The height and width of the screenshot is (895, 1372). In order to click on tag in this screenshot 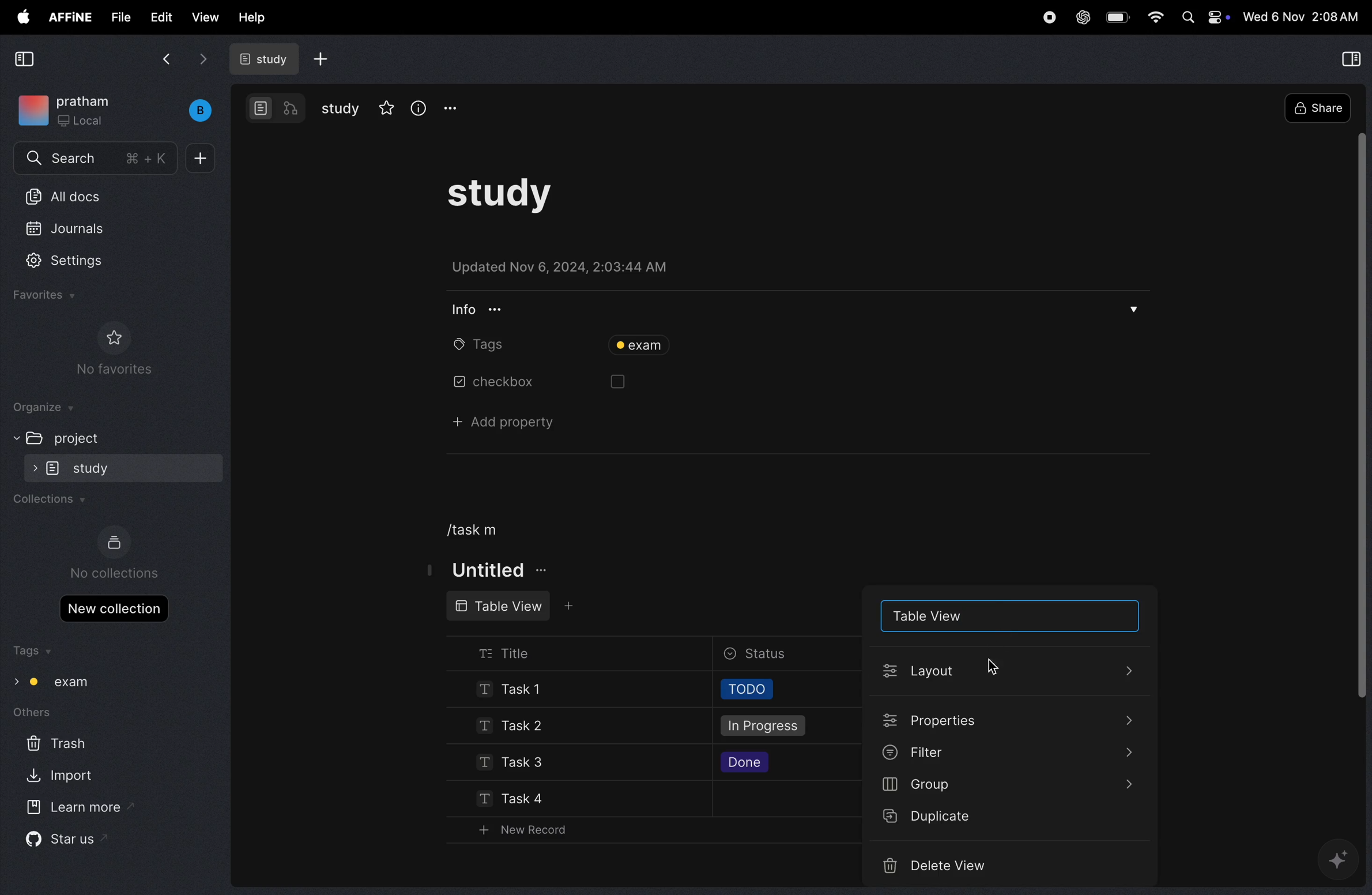, I will do `click(645, 347)`.